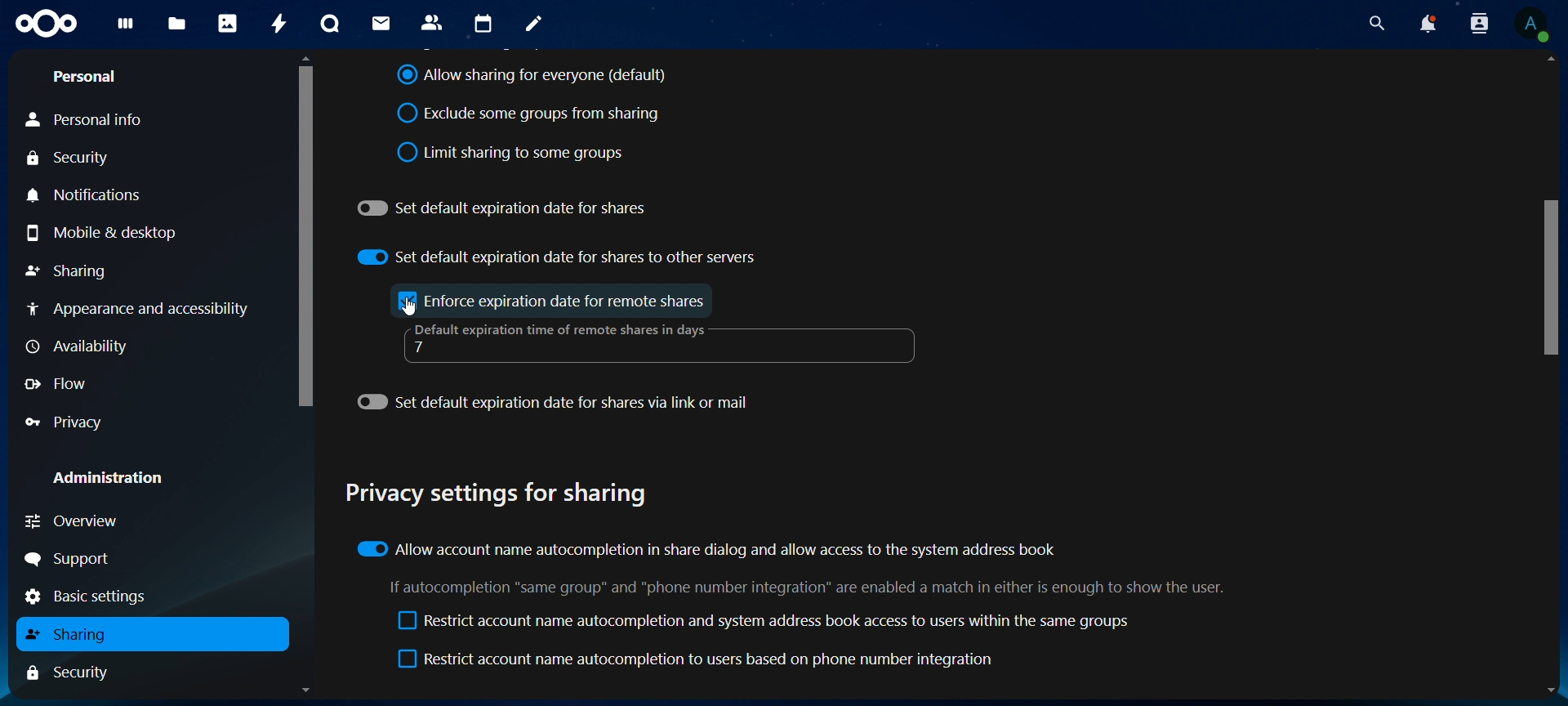  What do you see at coordinates (227, 22) in the screenshot?
I see `photos` at bounding box center [227, 22].